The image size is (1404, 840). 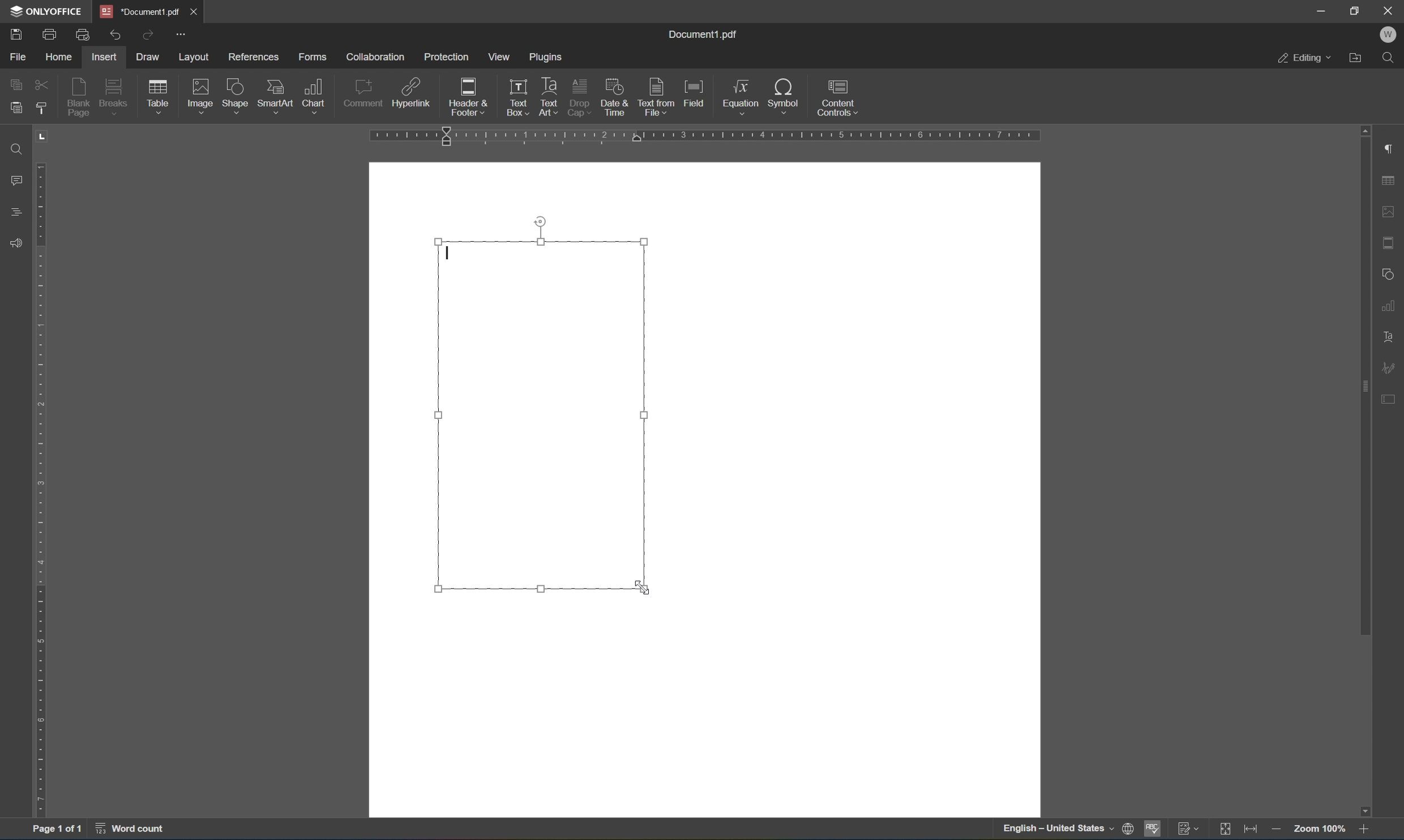 What do you see at coordinates (238, 97) in the screenshot?
I see `shape` at bounding box center [238, 97].